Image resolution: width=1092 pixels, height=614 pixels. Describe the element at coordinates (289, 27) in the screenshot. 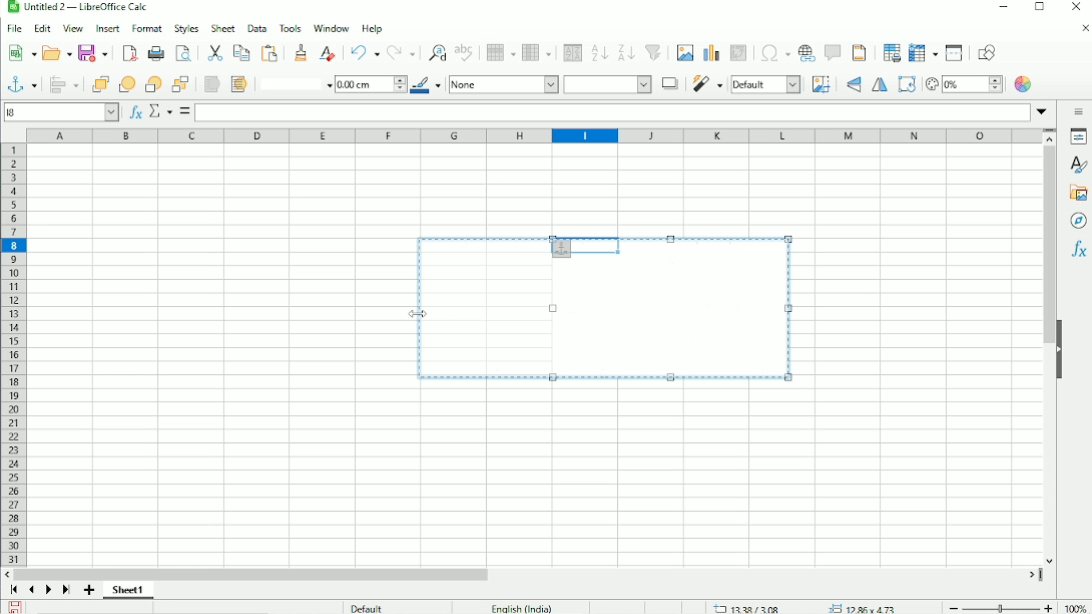

I see `Tools` at that location.